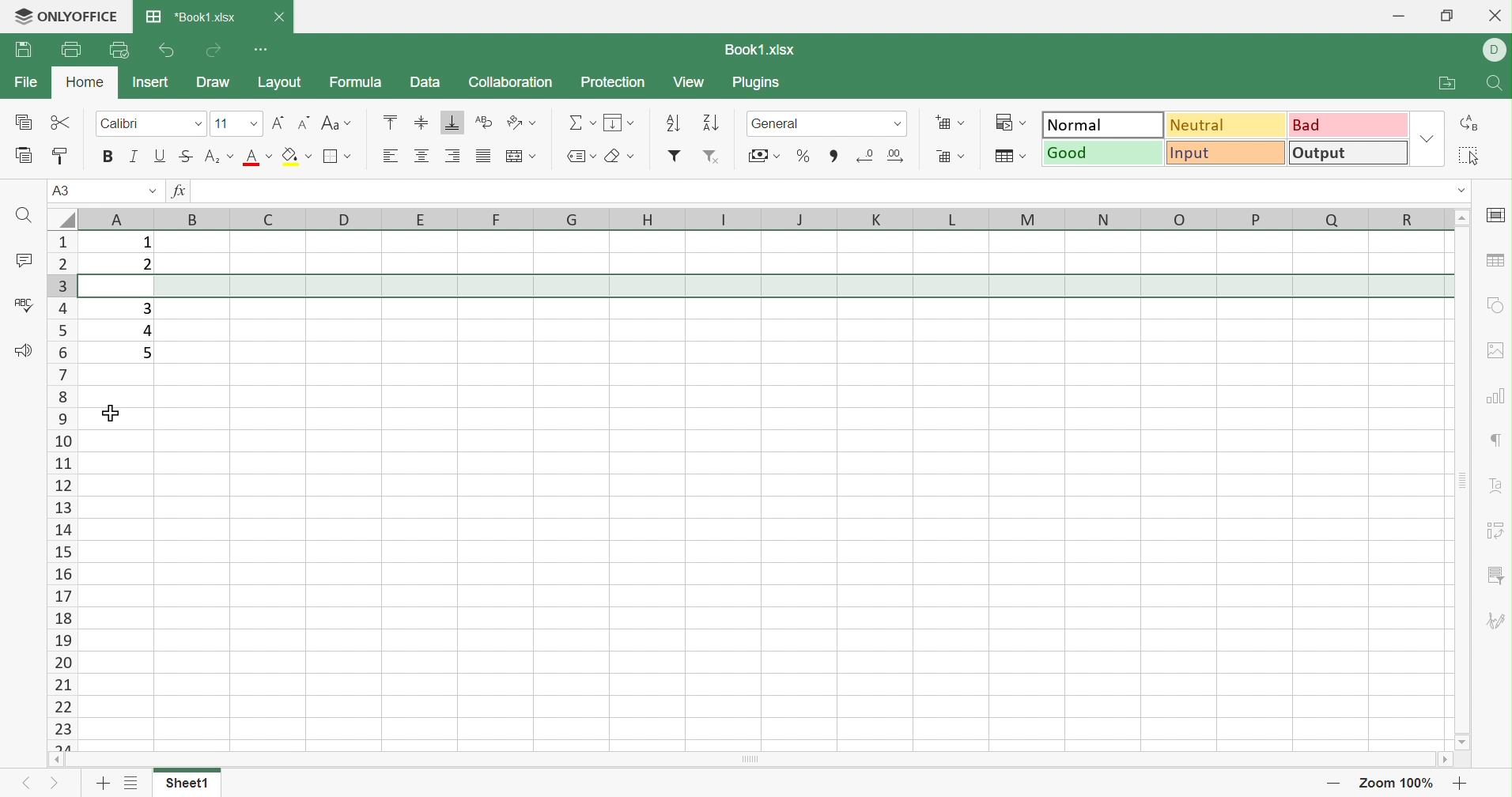  I want to click on Slide settings, so click(1493, 217).